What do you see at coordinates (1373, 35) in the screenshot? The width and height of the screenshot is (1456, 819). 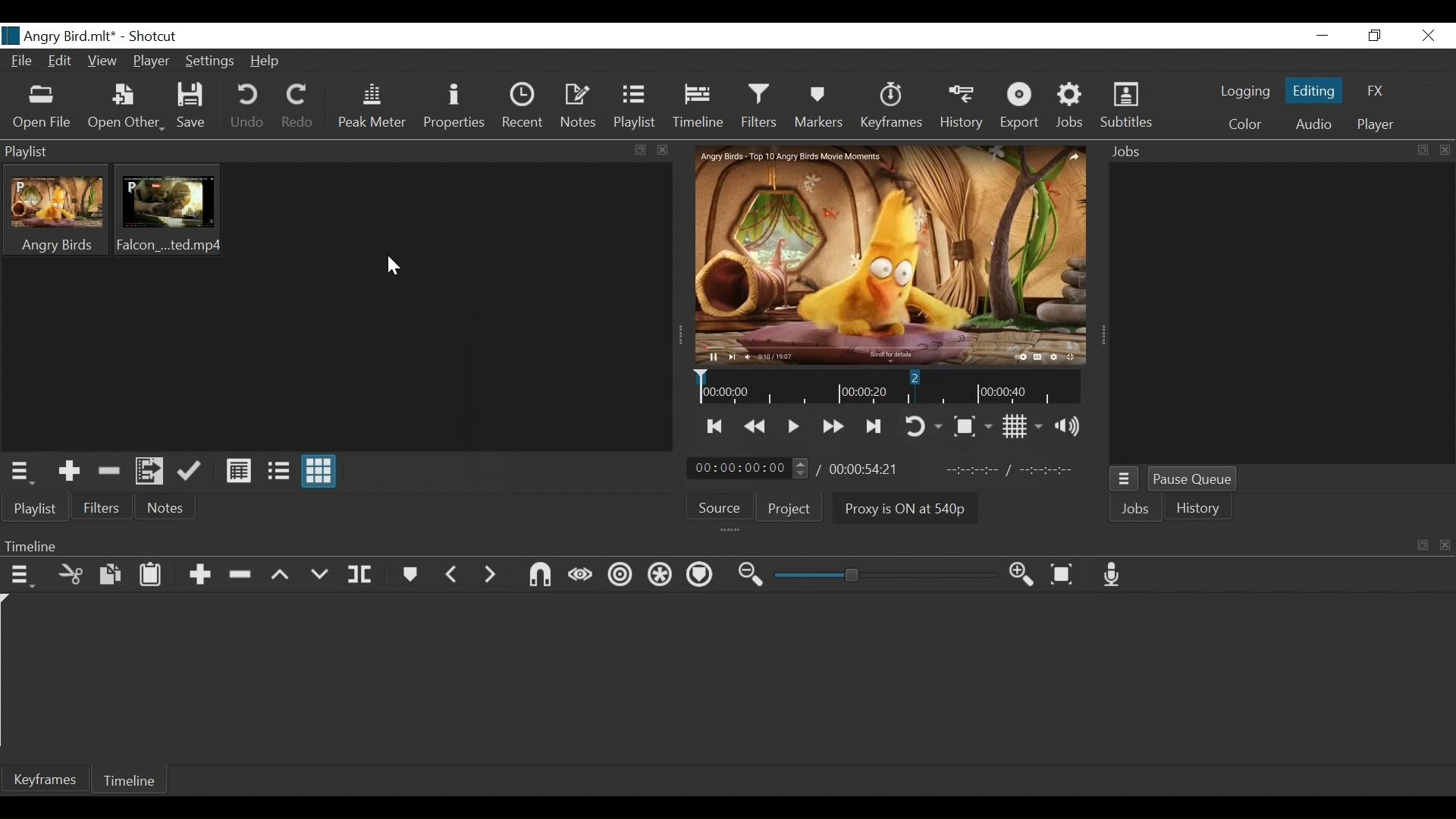 I see `Restore` at bounding box center [1373, 35].